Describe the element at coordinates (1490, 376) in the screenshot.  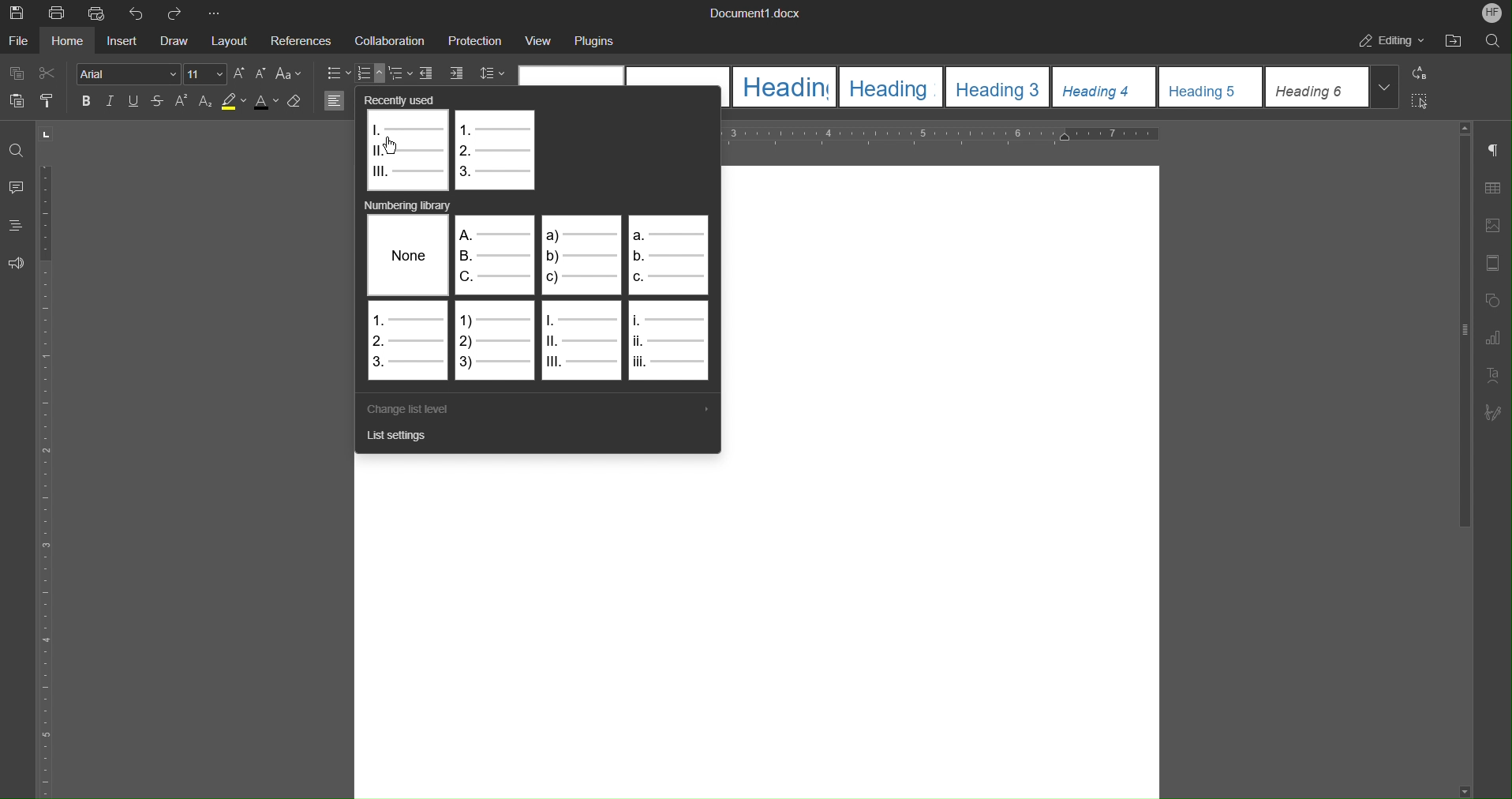
I see `Text Art` at that location.